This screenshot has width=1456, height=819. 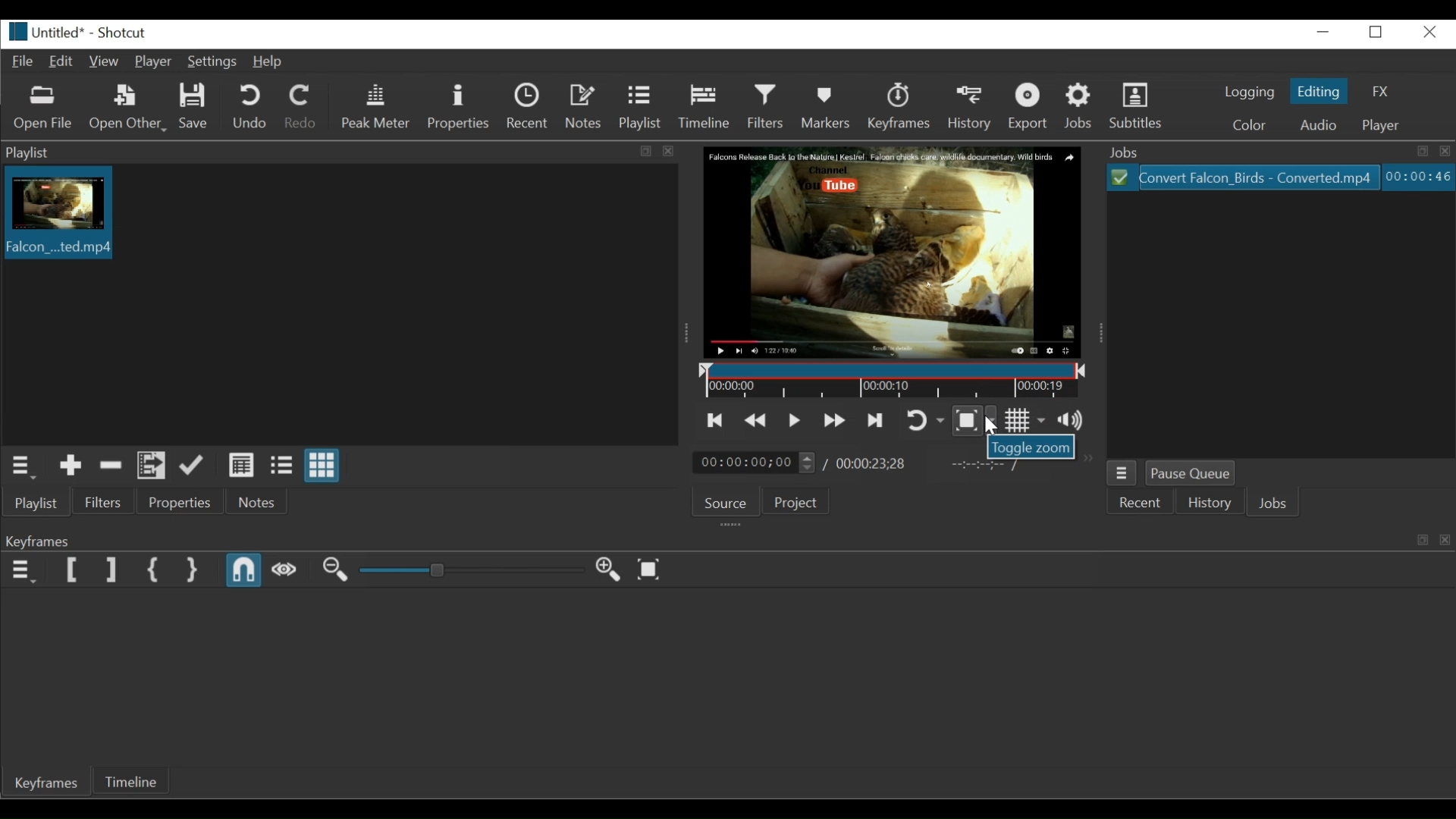 What do you see at coordinates (1141, 106) in the screenshot?
I see `Subtitles` at bounding box center [1141, 106].